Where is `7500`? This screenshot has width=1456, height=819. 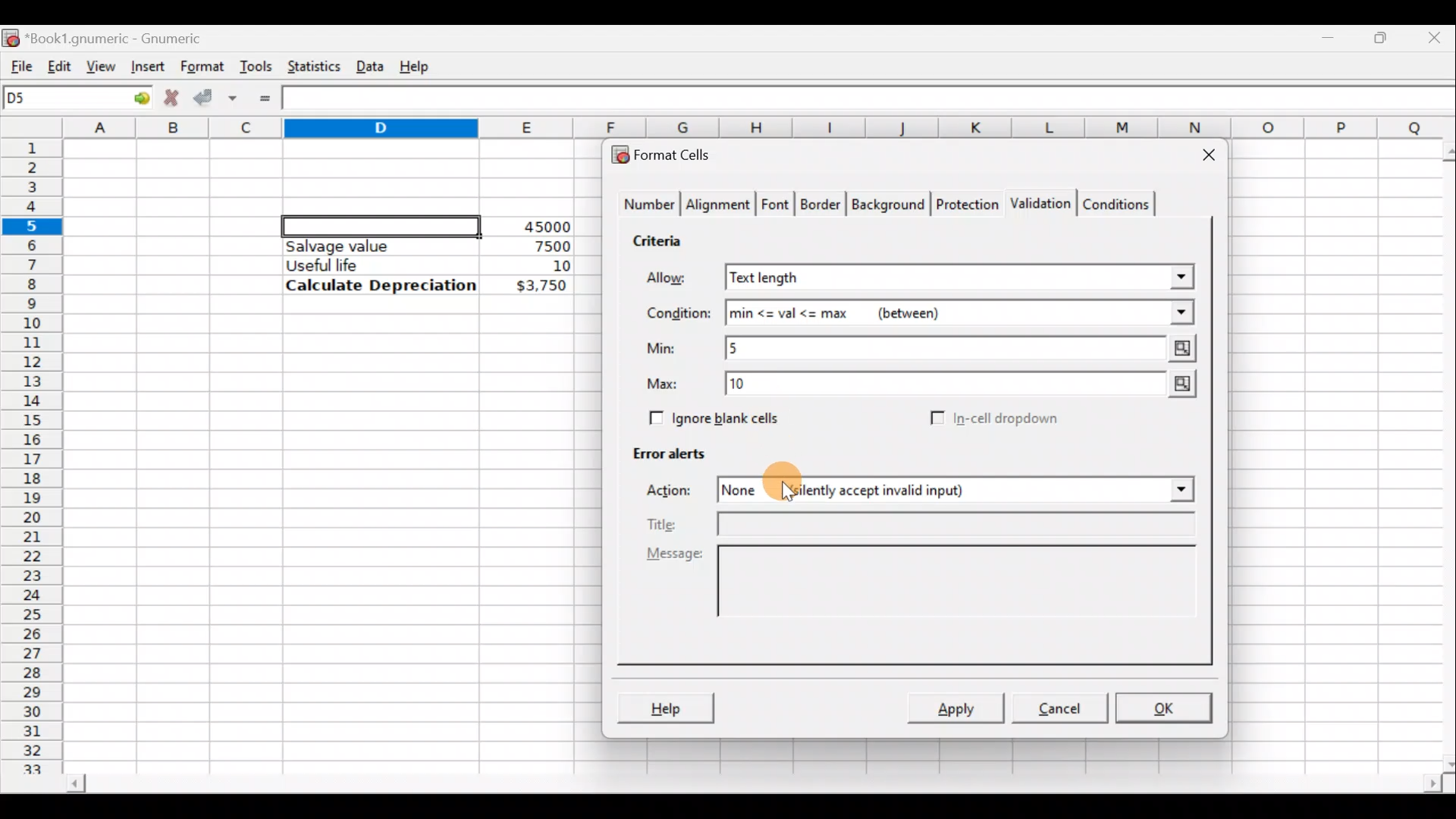 7500 is located at coordinates (528, 245).